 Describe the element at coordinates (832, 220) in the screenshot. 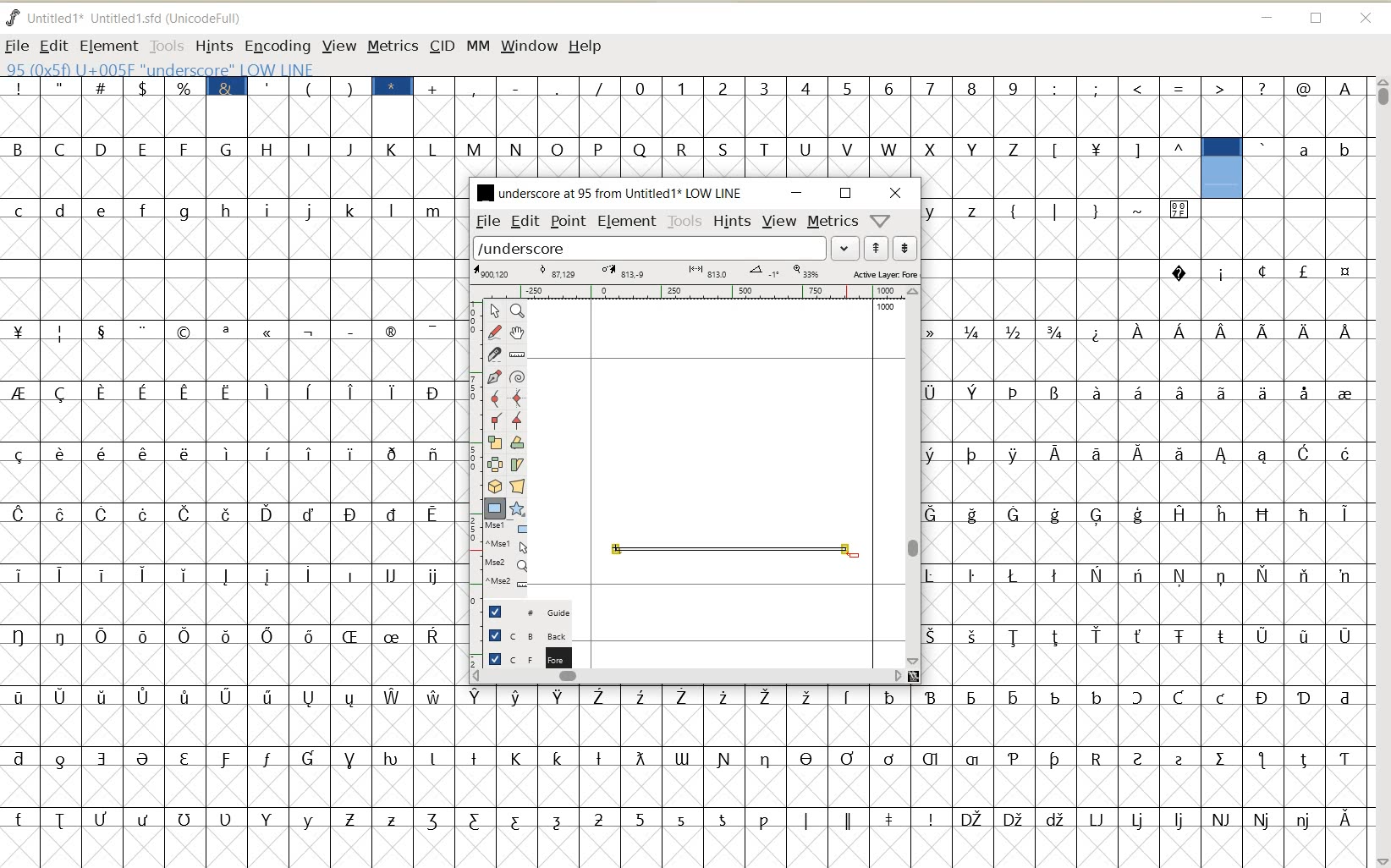

I see `metrics` at that location.